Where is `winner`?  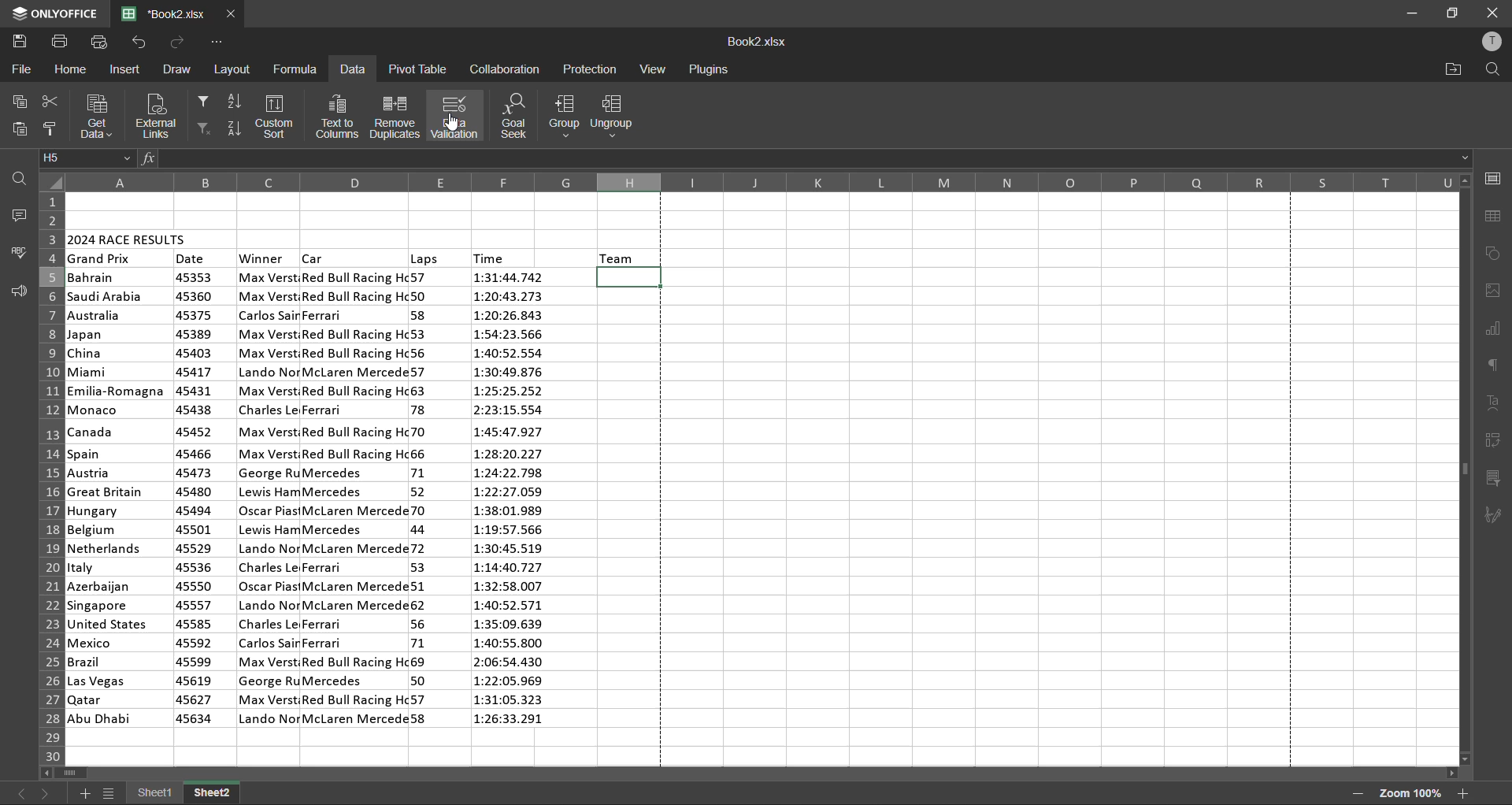 winner is located at coordinates (269, 497).